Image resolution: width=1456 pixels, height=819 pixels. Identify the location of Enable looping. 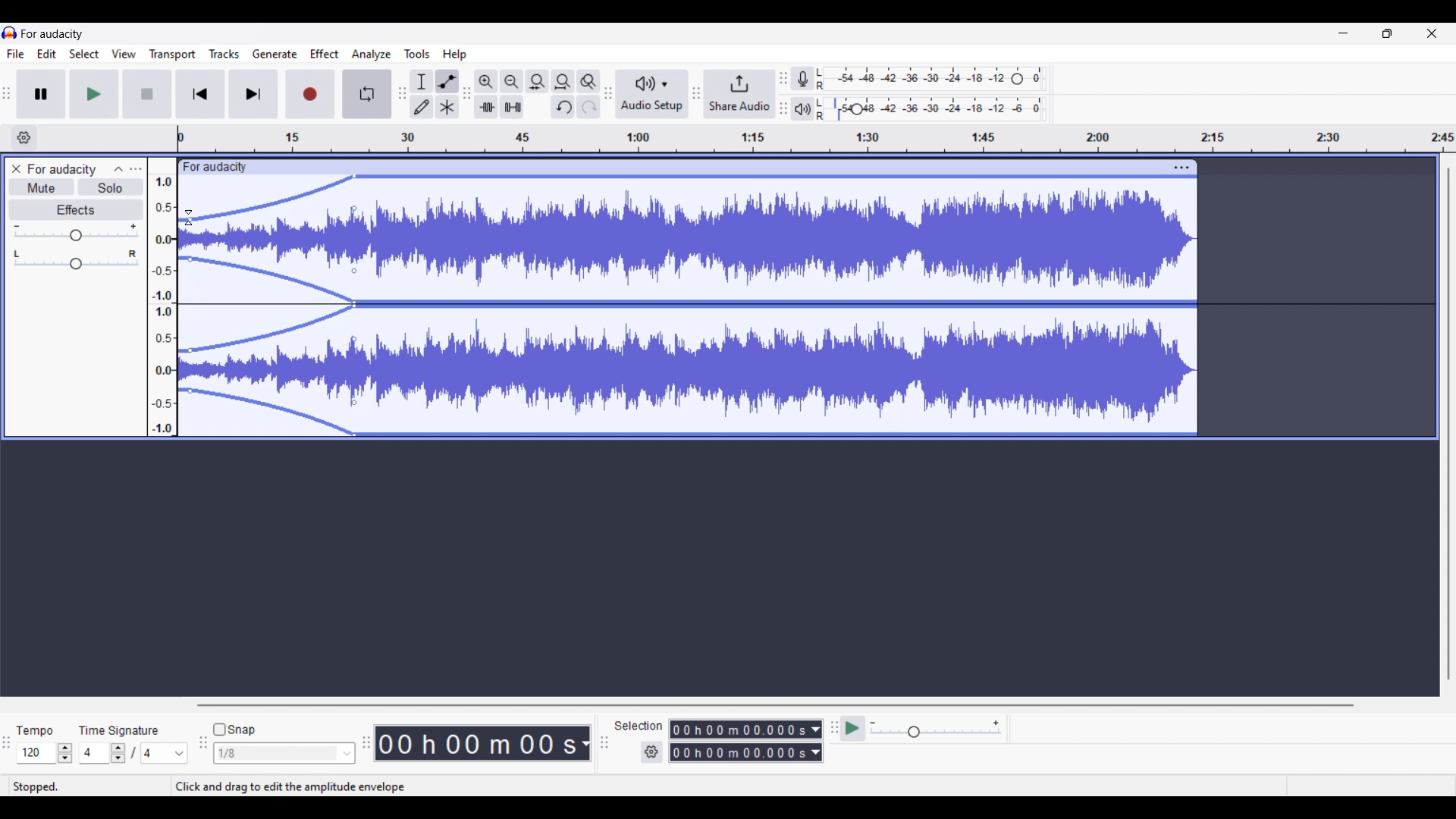
(367, 94).